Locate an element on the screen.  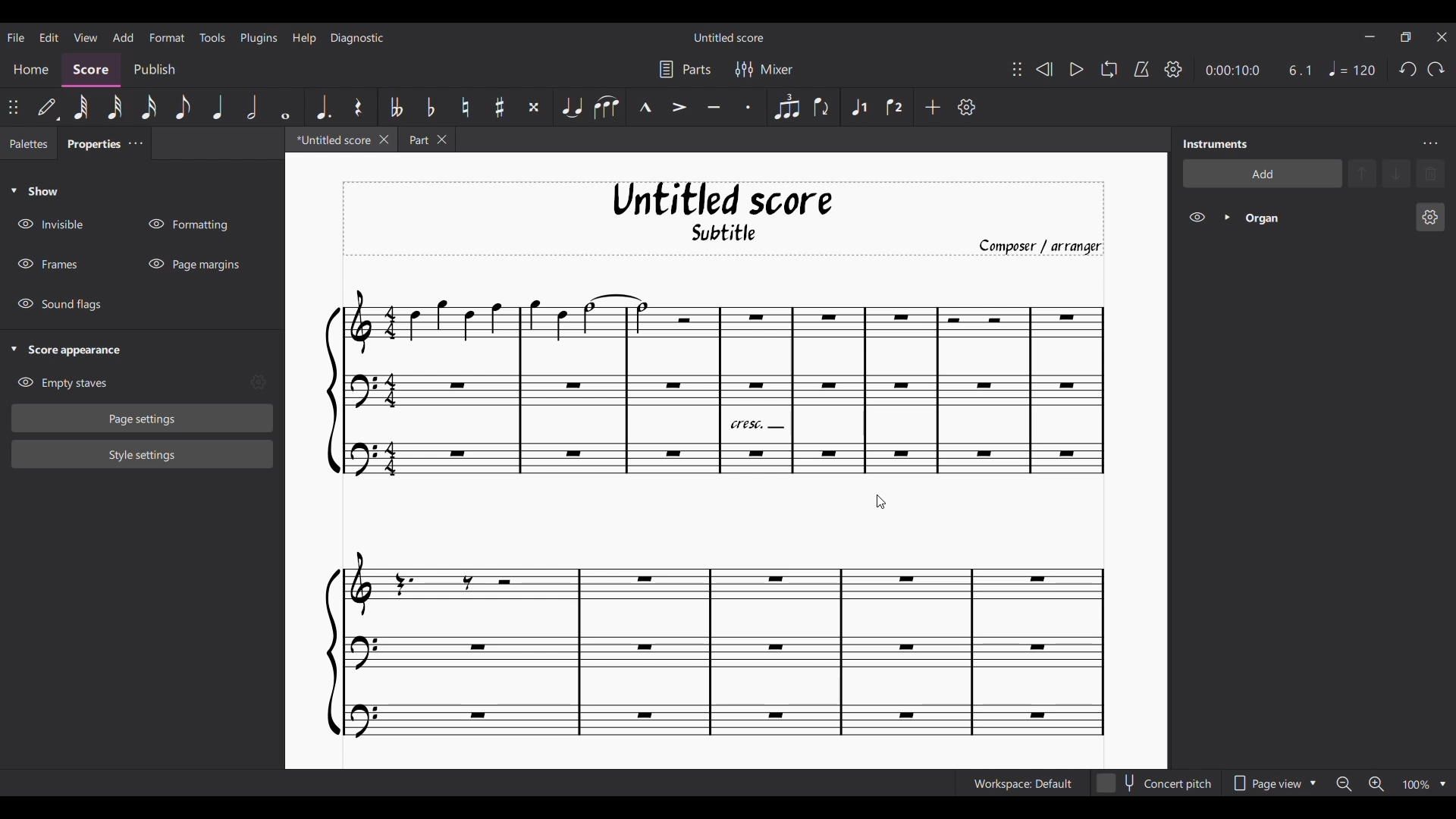
Style settings is located at coordinates (143, 455).